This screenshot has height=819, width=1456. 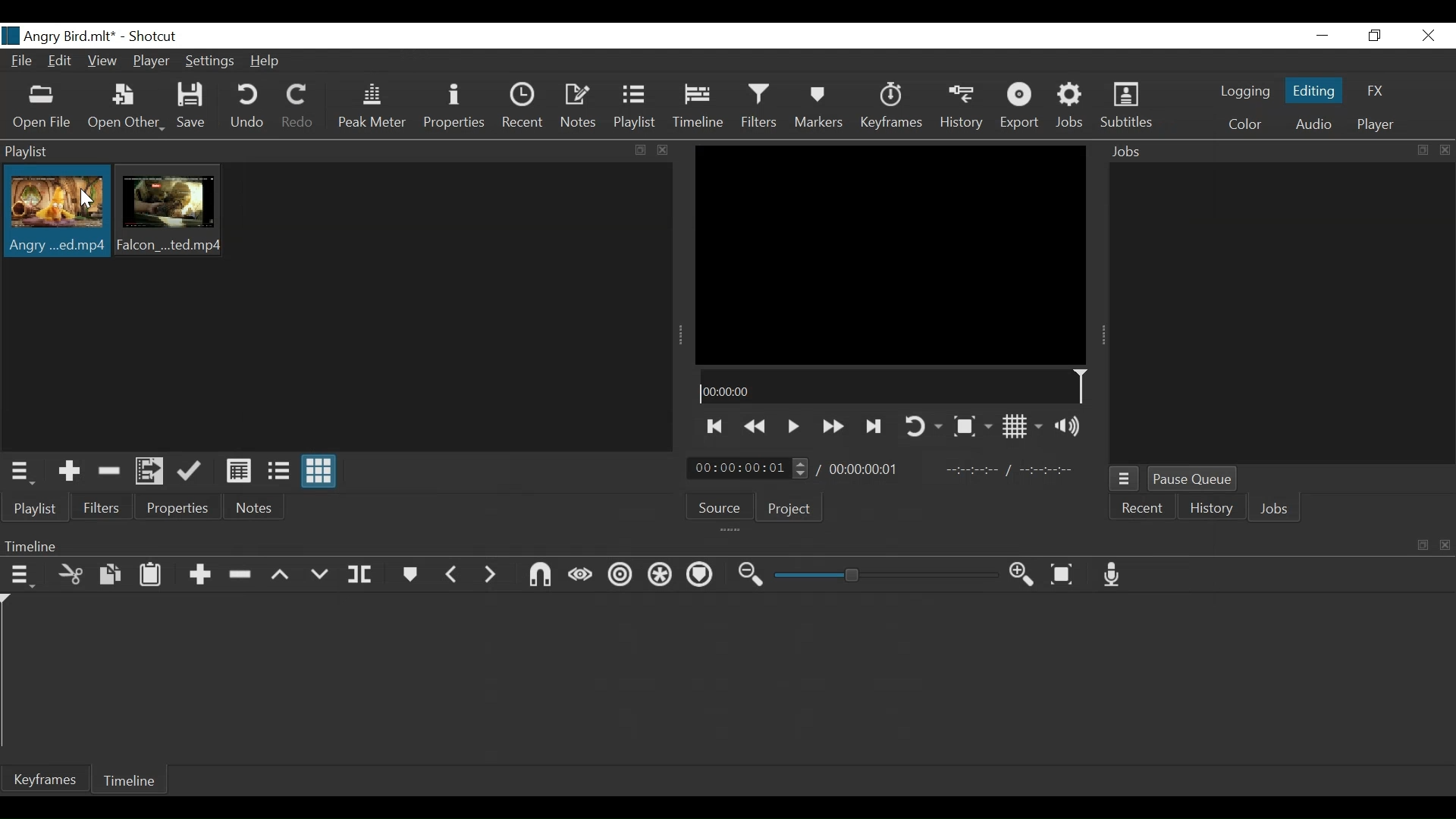 What do you see at coordinates (971, 427) in the screenshot?
I see `Toggle Zoom` at bounding box center [971, 427].